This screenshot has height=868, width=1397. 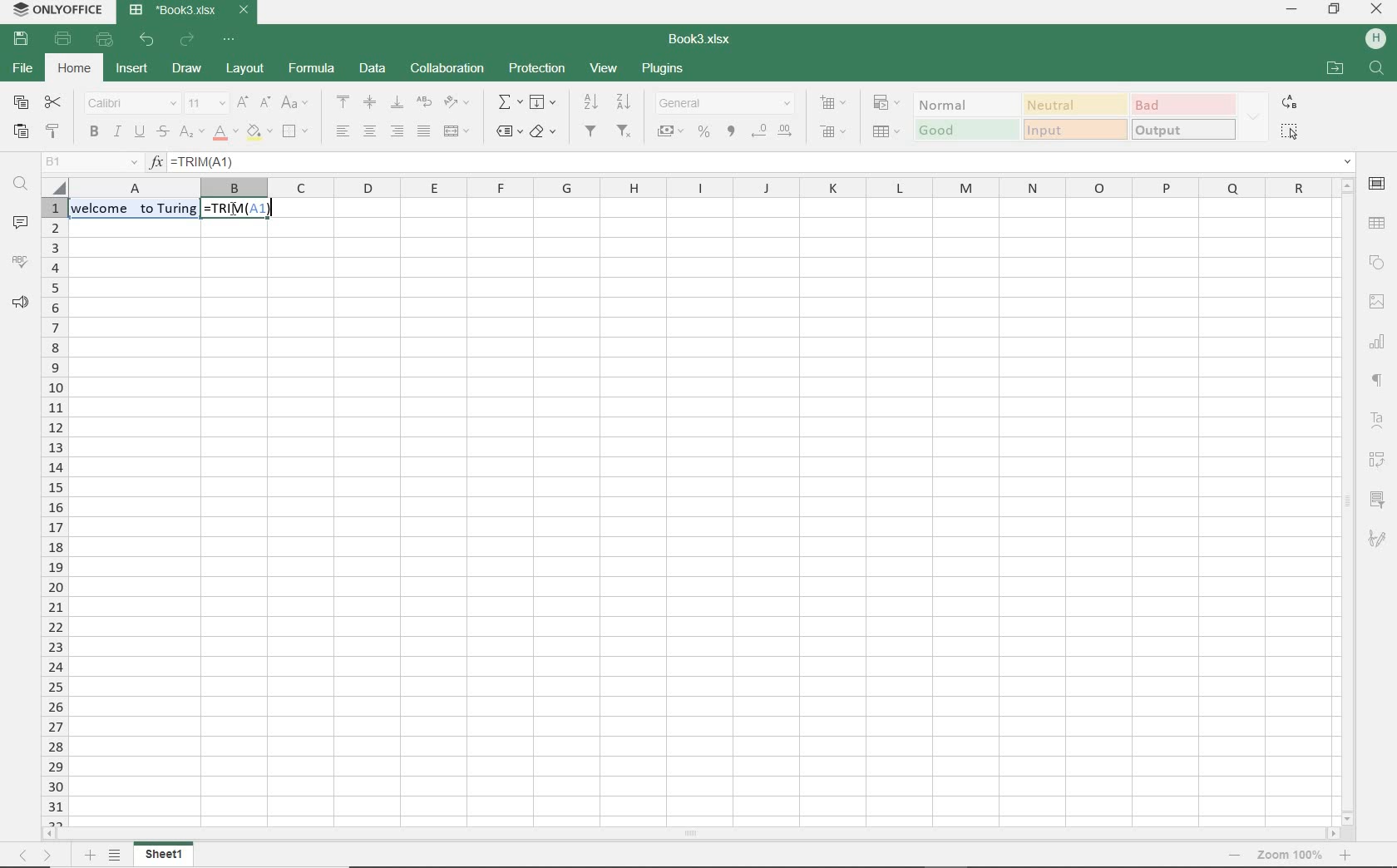 I want to click on formula, so click(x=312, y=68).